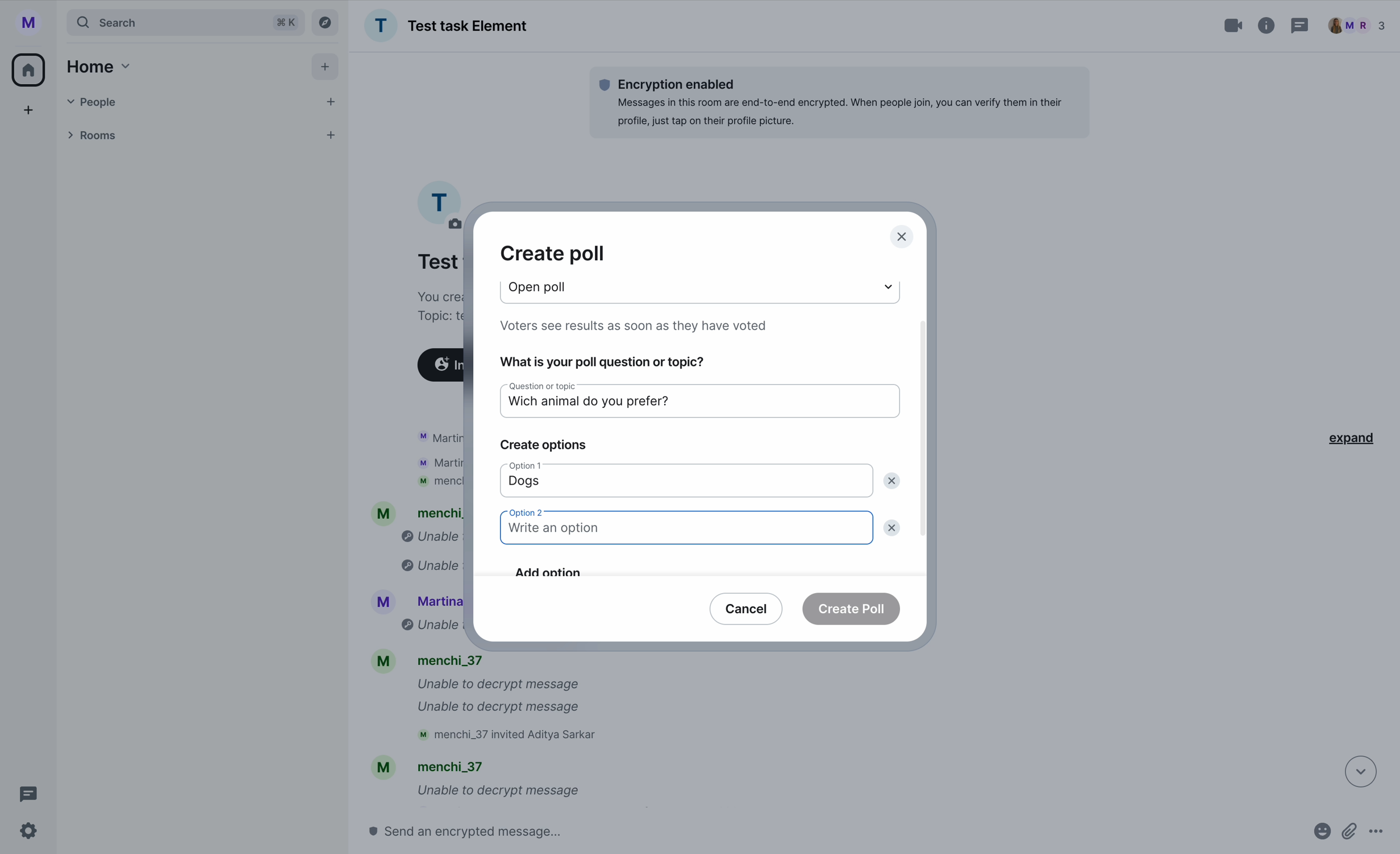 The width and height of the screenshot is (1400, 854). I want to click on add option, so click(687, 566).